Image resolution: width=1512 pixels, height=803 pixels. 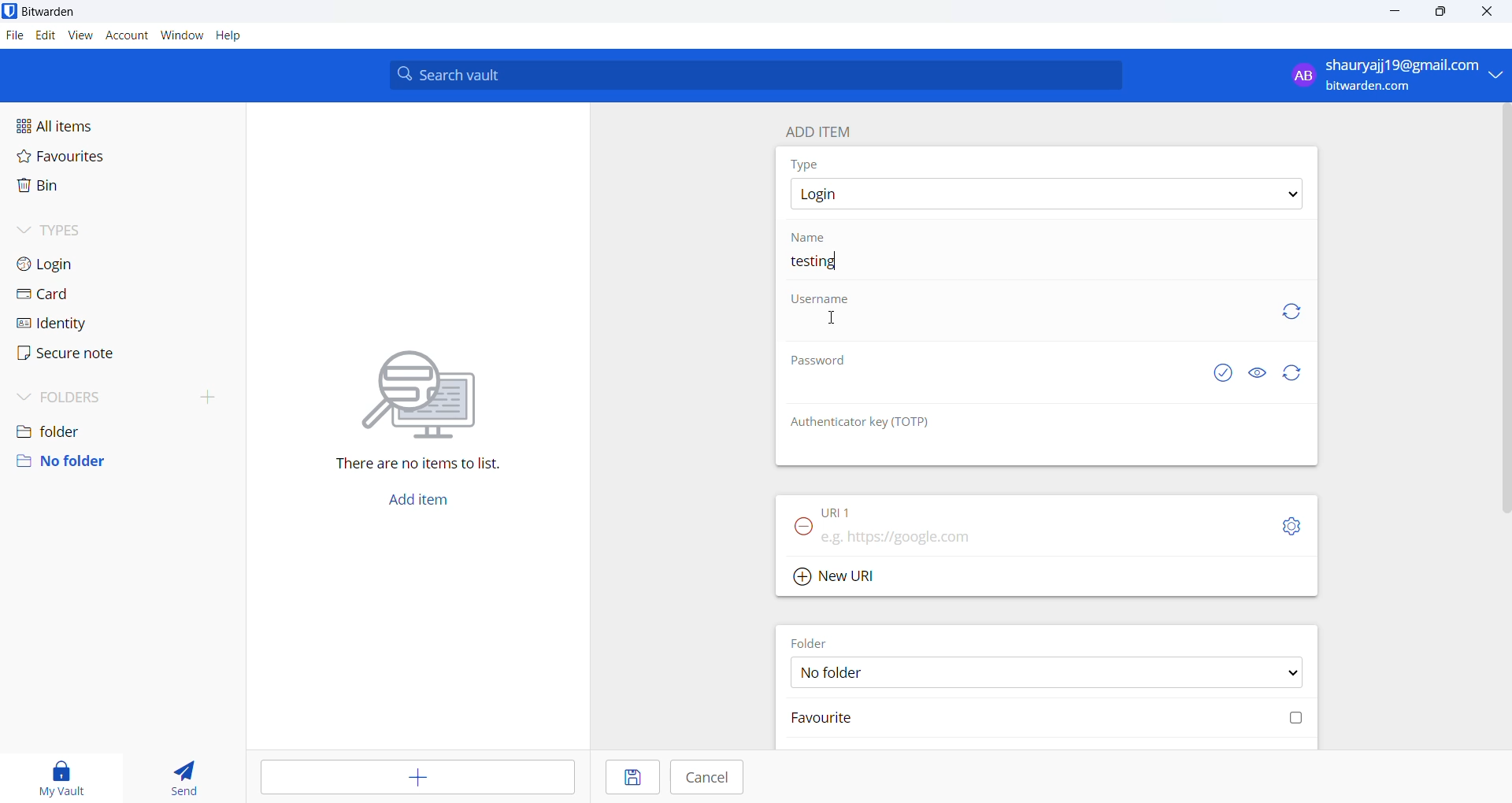 What do you see at coordinates (87, 231) in the screenshot?
I see `types` at bounding box center [87, 231].